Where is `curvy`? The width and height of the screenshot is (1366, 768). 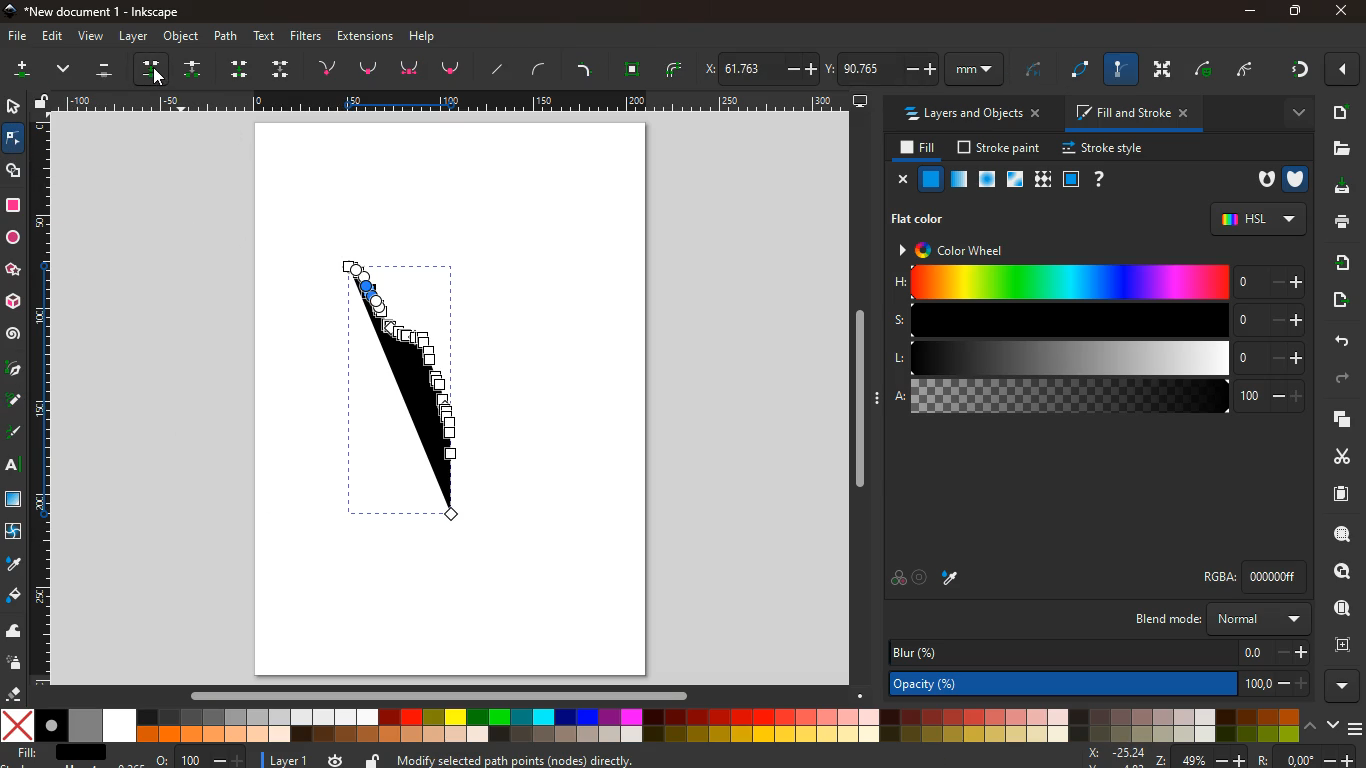
curvy is located at coordinates (543, 69).